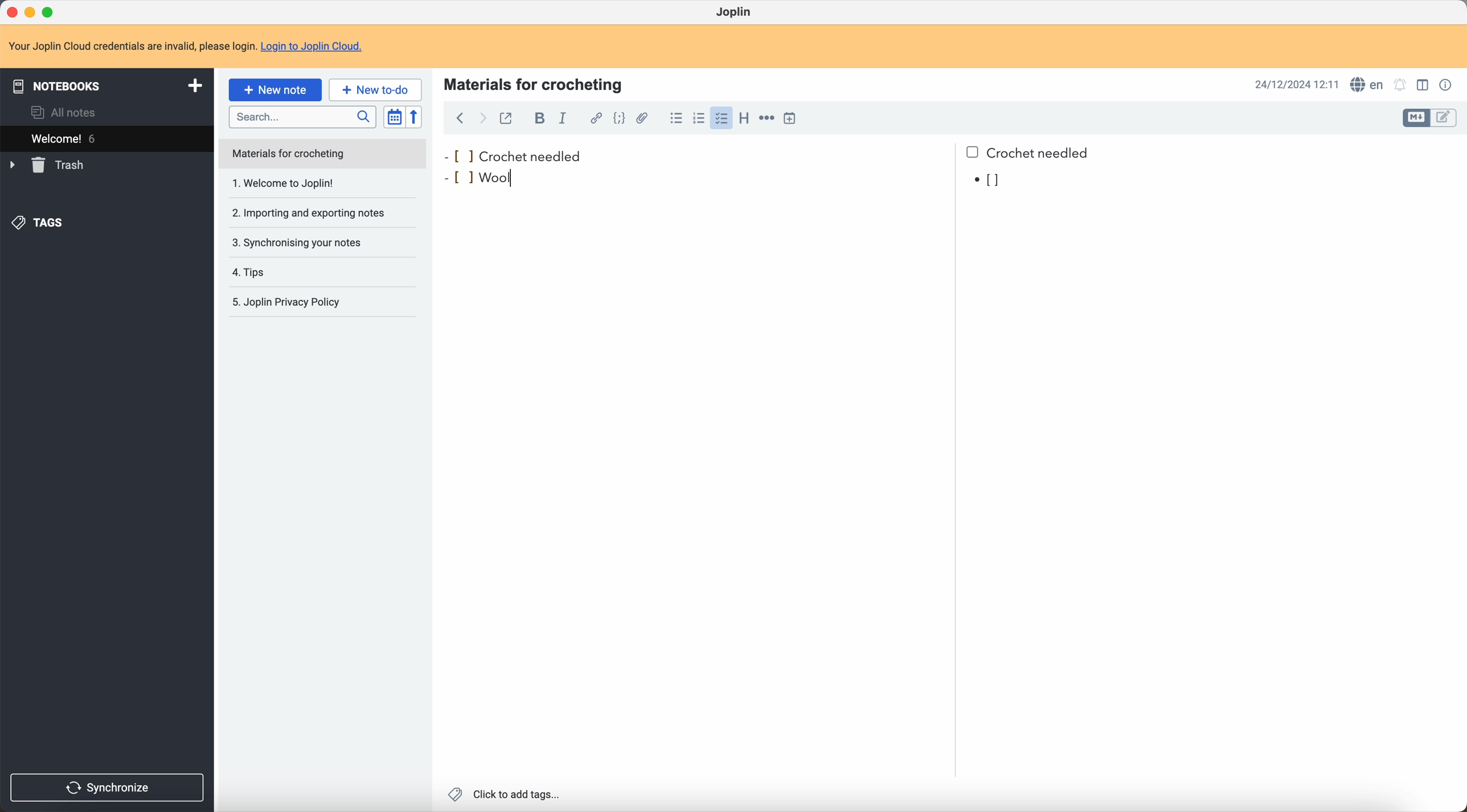 The width and height of the screenshot is (1467, 812). I want to click on reverse sort order, so click(416, 117).